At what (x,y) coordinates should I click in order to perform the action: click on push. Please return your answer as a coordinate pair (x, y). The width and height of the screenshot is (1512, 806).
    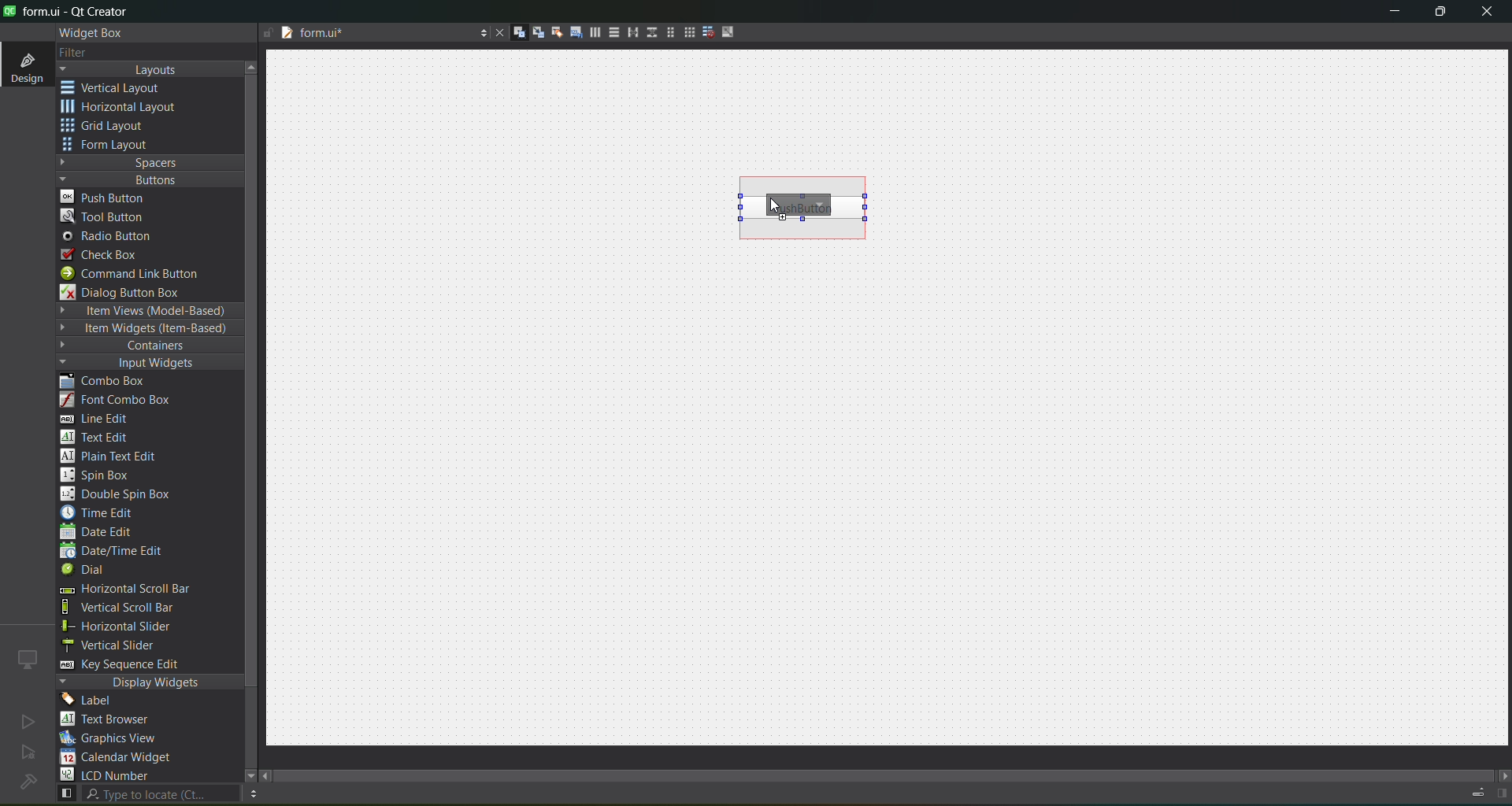
    Looking at the image, I should click on (105, 196).